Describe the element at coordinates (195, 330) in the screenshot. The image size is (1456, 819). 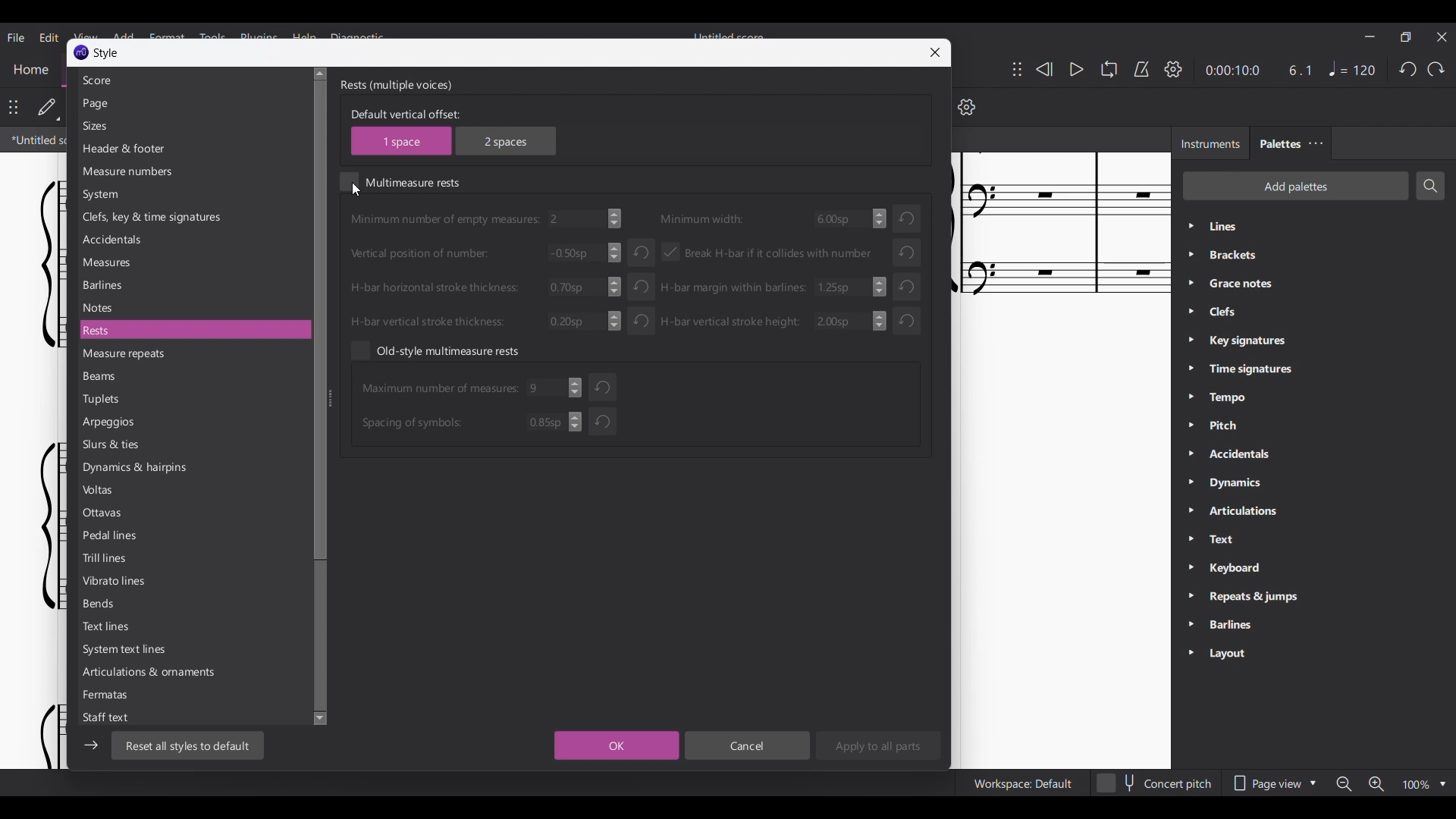
I see `Rests, current selection highlighted` at that location.